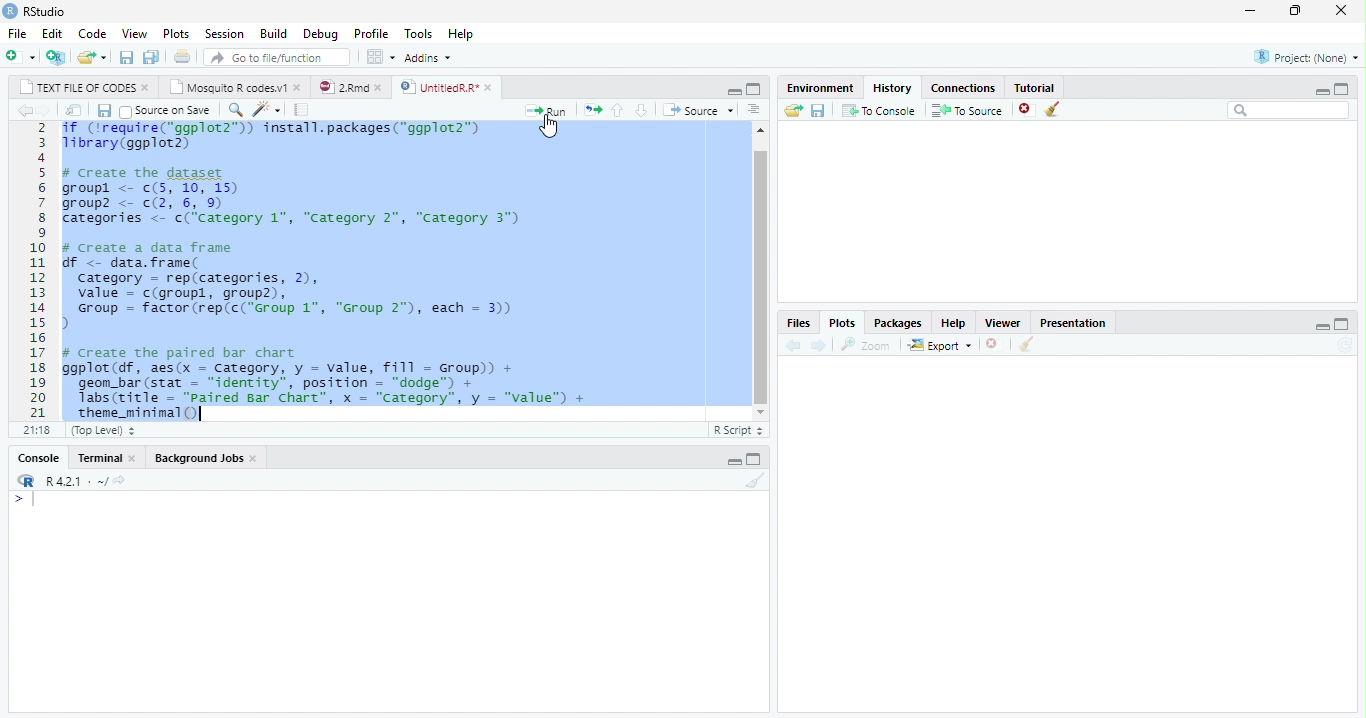 This screenshot has height=718, width=1366. What do you see at coordinates (91, 56) in the screenshot?
I see `open an existing file` at bounding box center [91, 56].